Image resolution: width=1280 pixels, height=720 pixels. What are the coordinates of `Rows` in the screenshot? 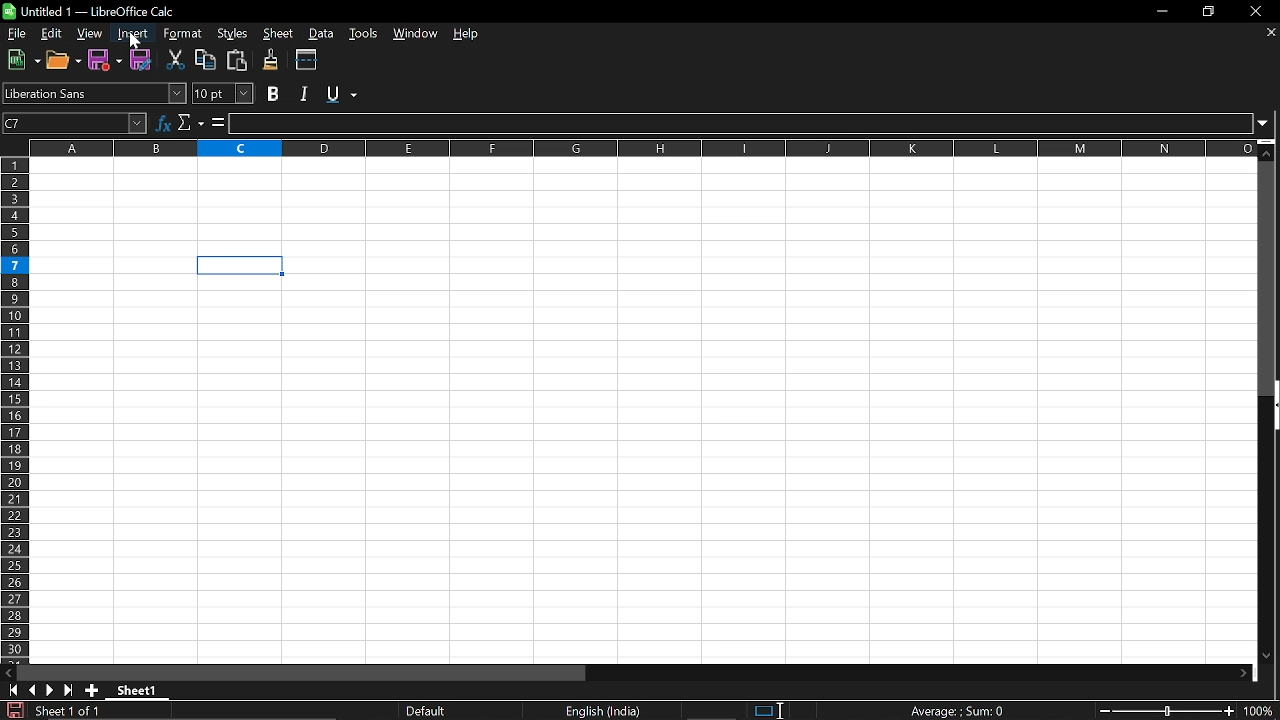 It's located at (16, 409).